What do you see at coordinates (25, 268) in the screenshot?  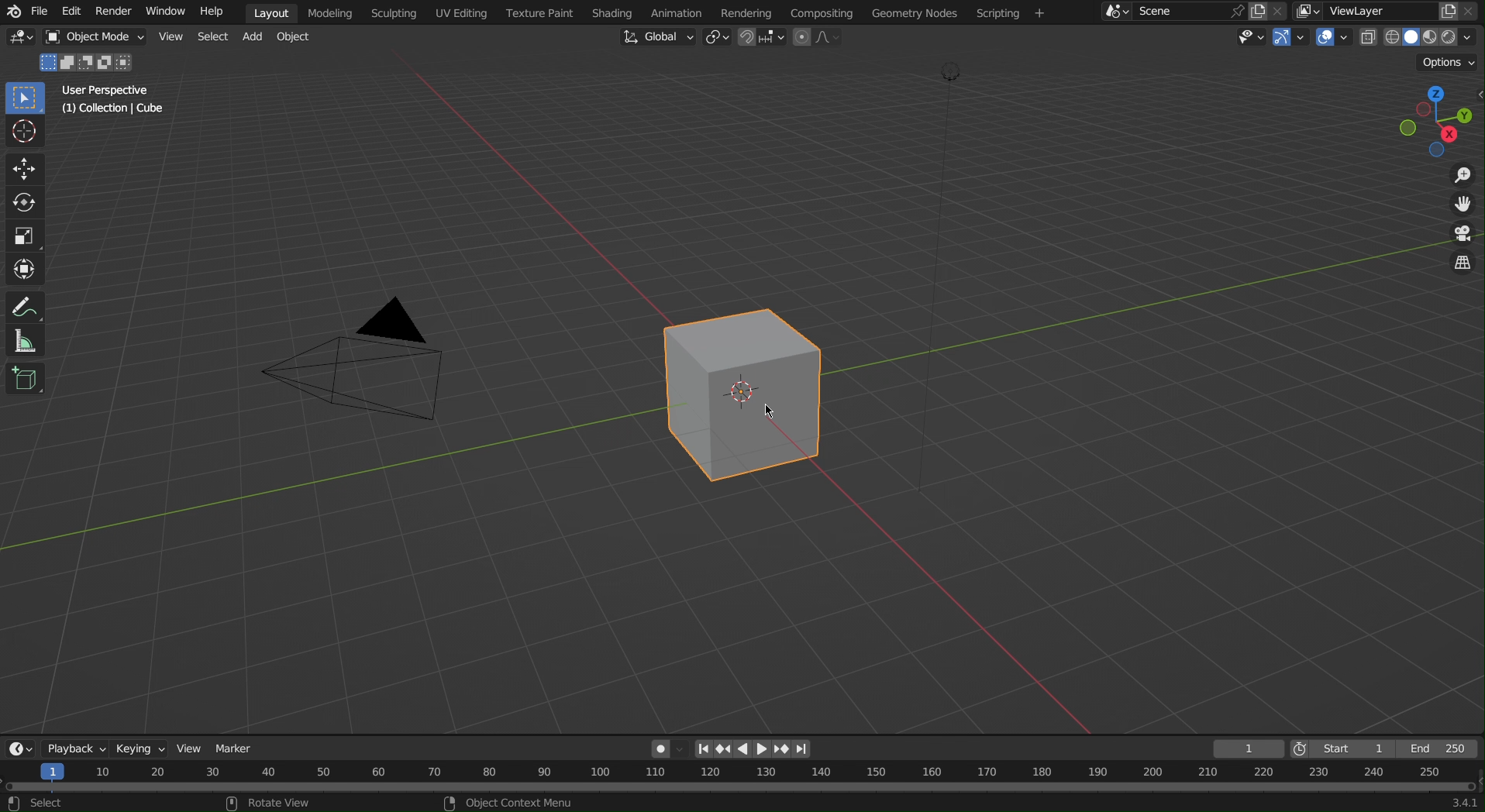 I see `Transform` at bounding box center [25, 268].